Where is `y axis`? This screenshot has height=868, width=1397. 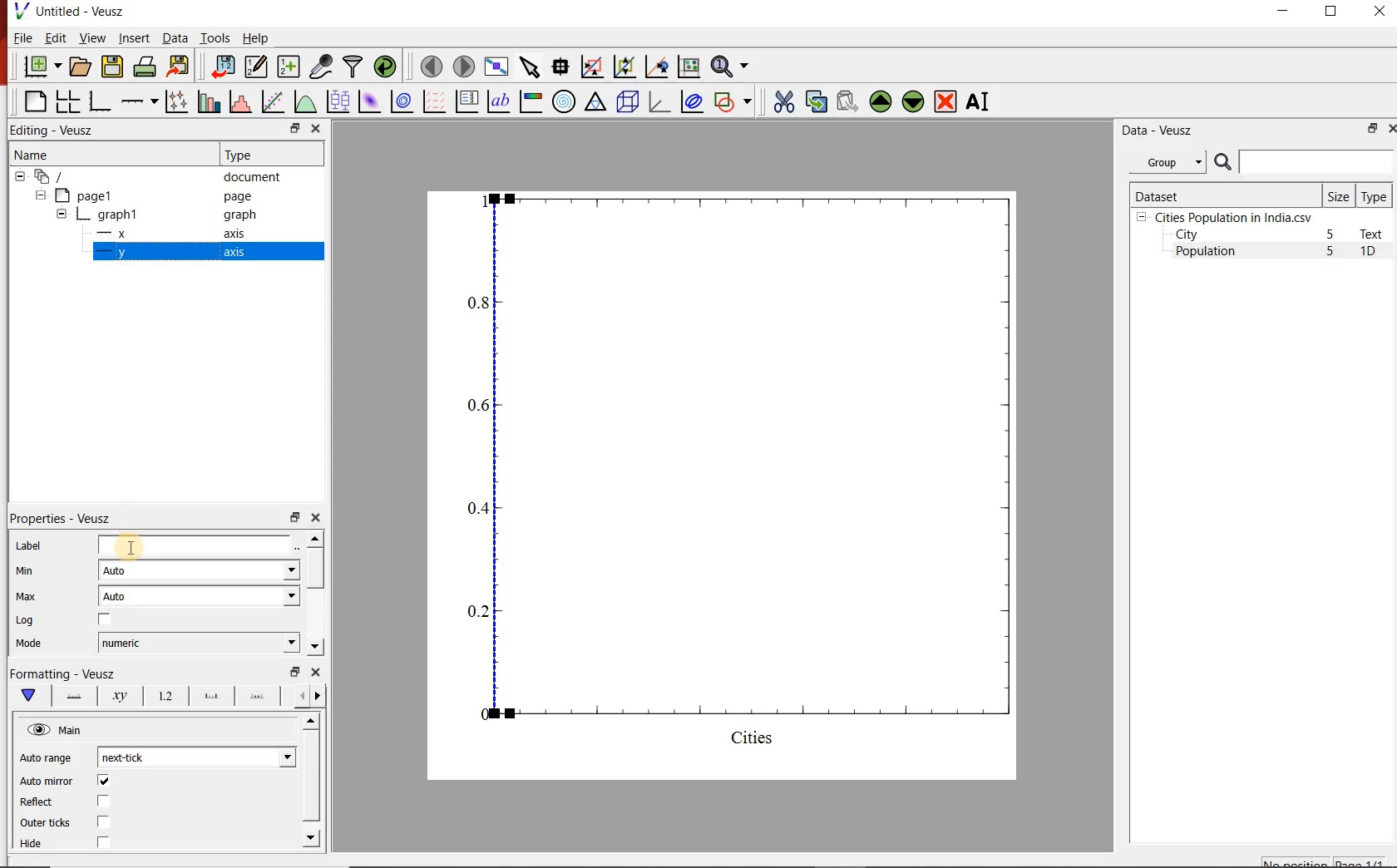
y axis is located at coordinates (174, 253).